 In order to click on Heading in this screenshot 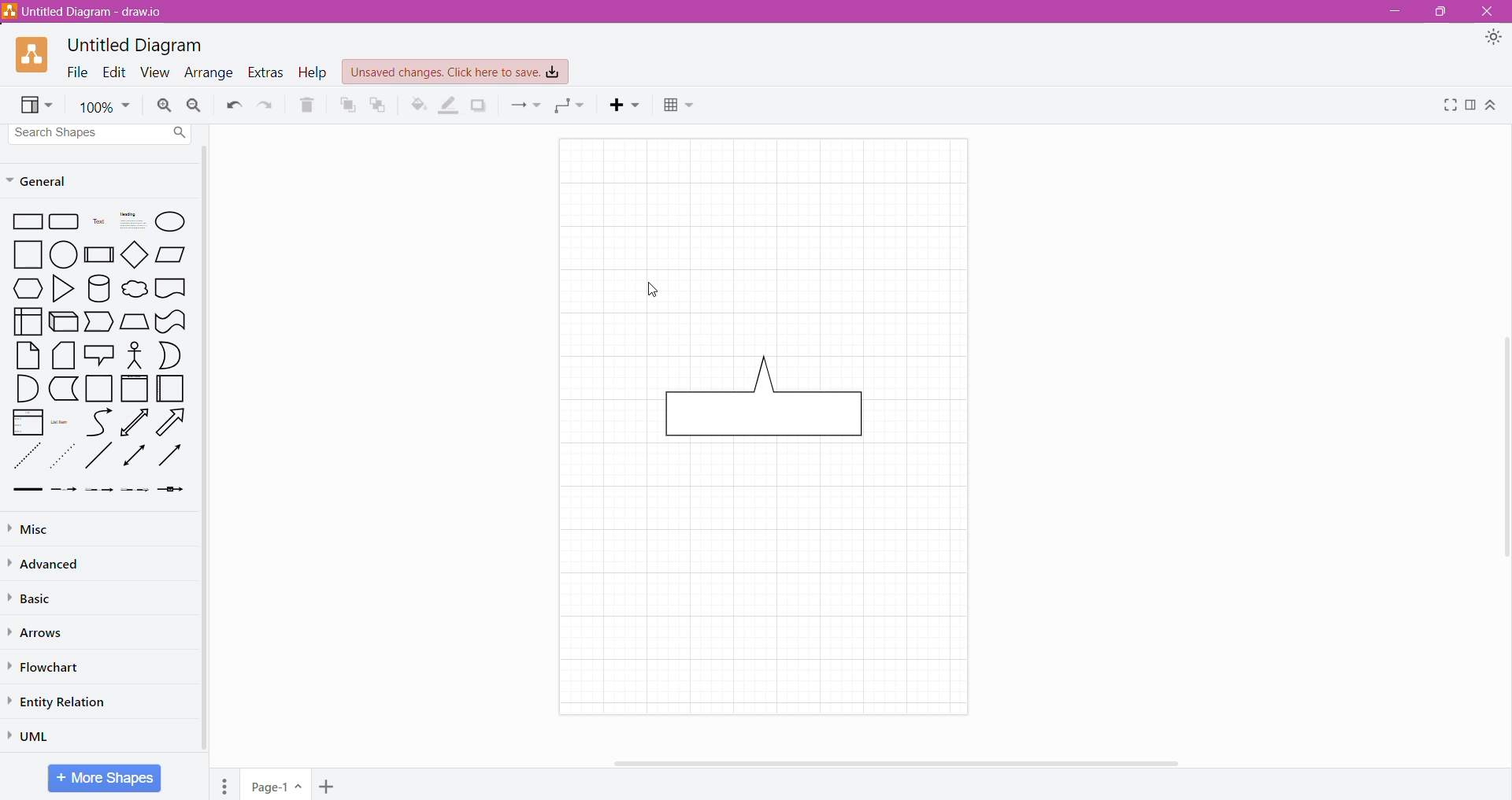, I will do `click(130, 222)`.